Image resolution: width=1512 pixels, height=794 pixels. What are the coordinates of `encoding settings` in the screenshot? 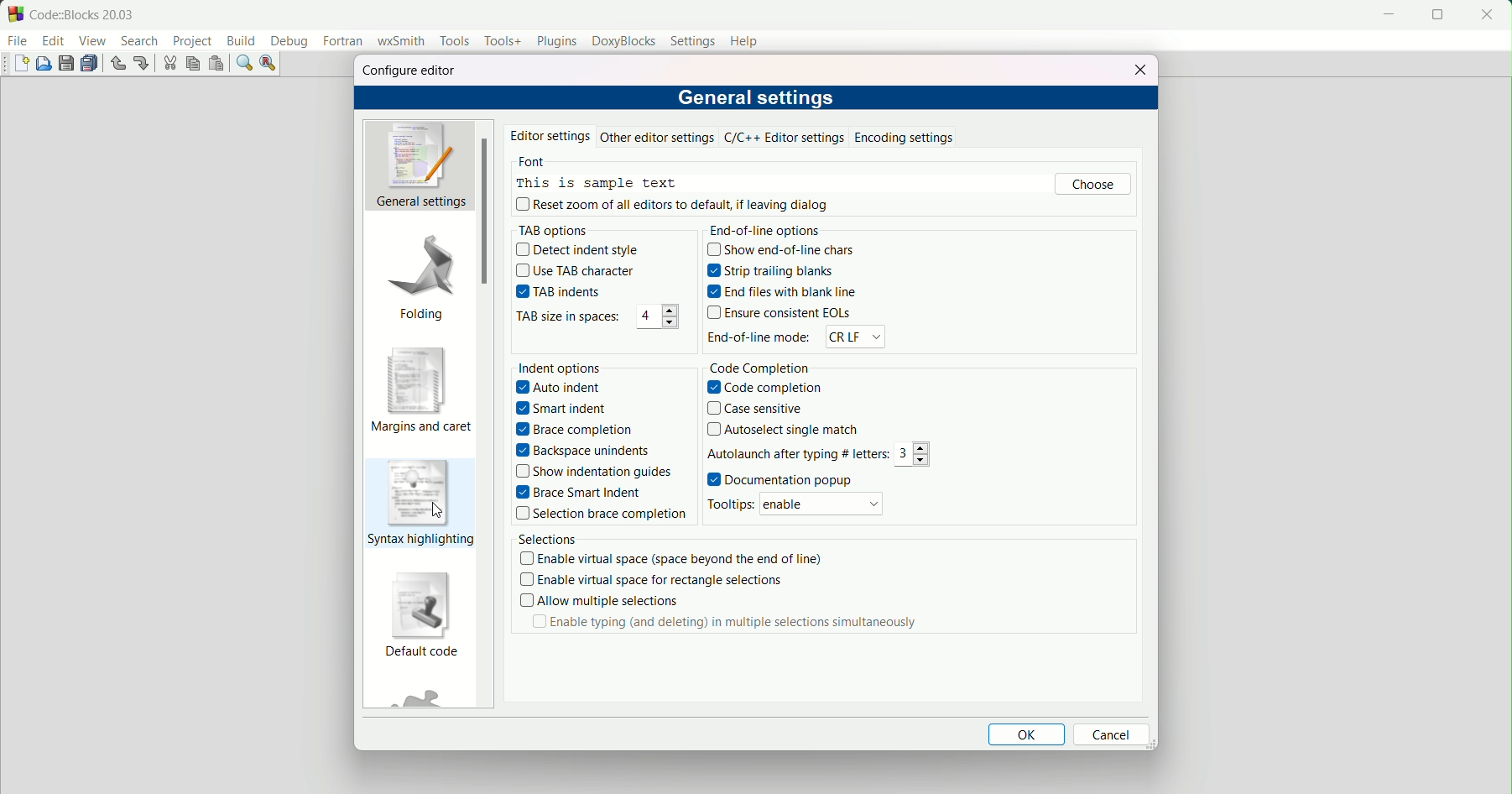 It's located at (905, 138).